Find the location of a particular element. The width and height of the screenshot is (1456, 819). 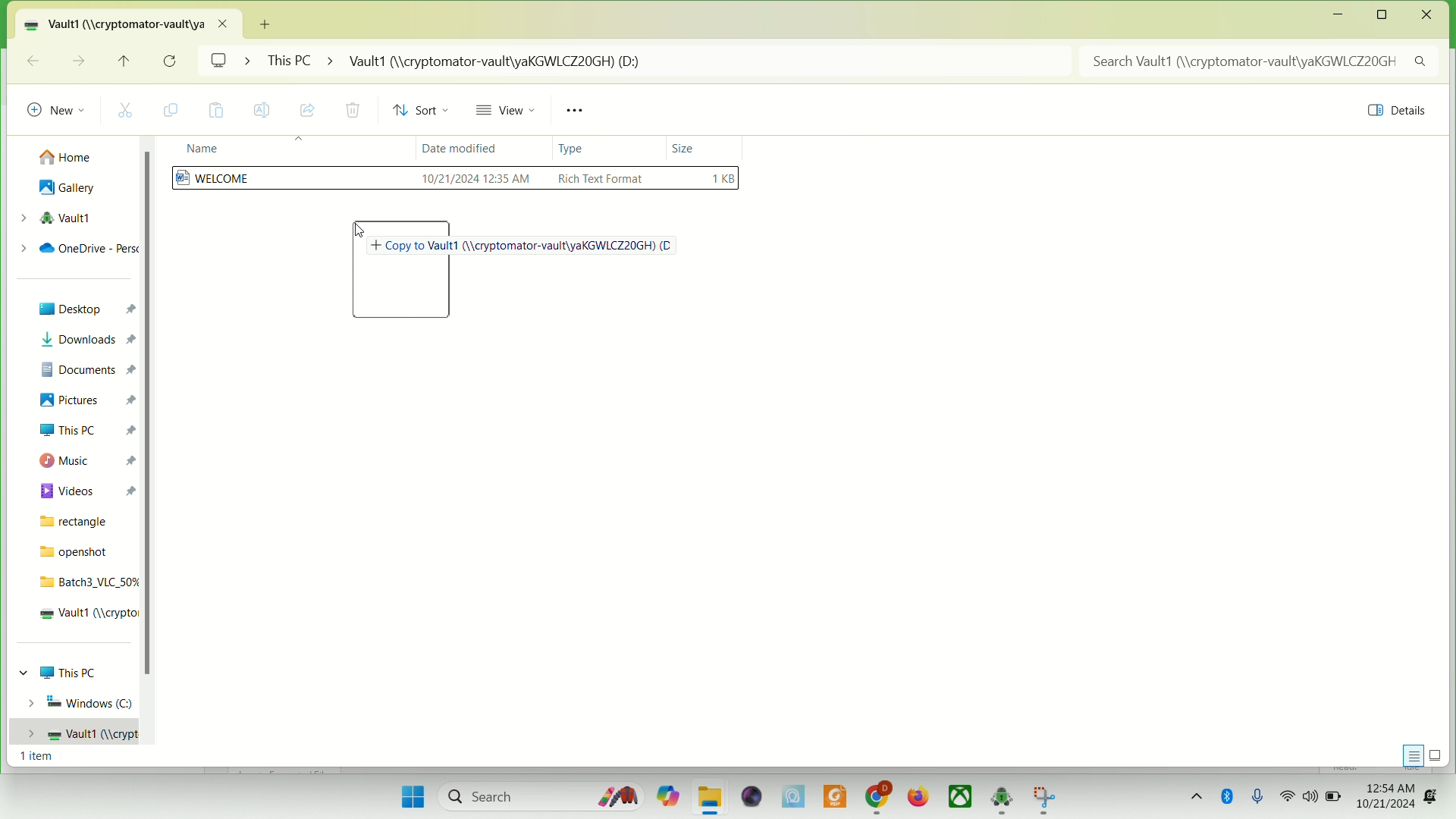

Add is located at coordinates (267, 19).